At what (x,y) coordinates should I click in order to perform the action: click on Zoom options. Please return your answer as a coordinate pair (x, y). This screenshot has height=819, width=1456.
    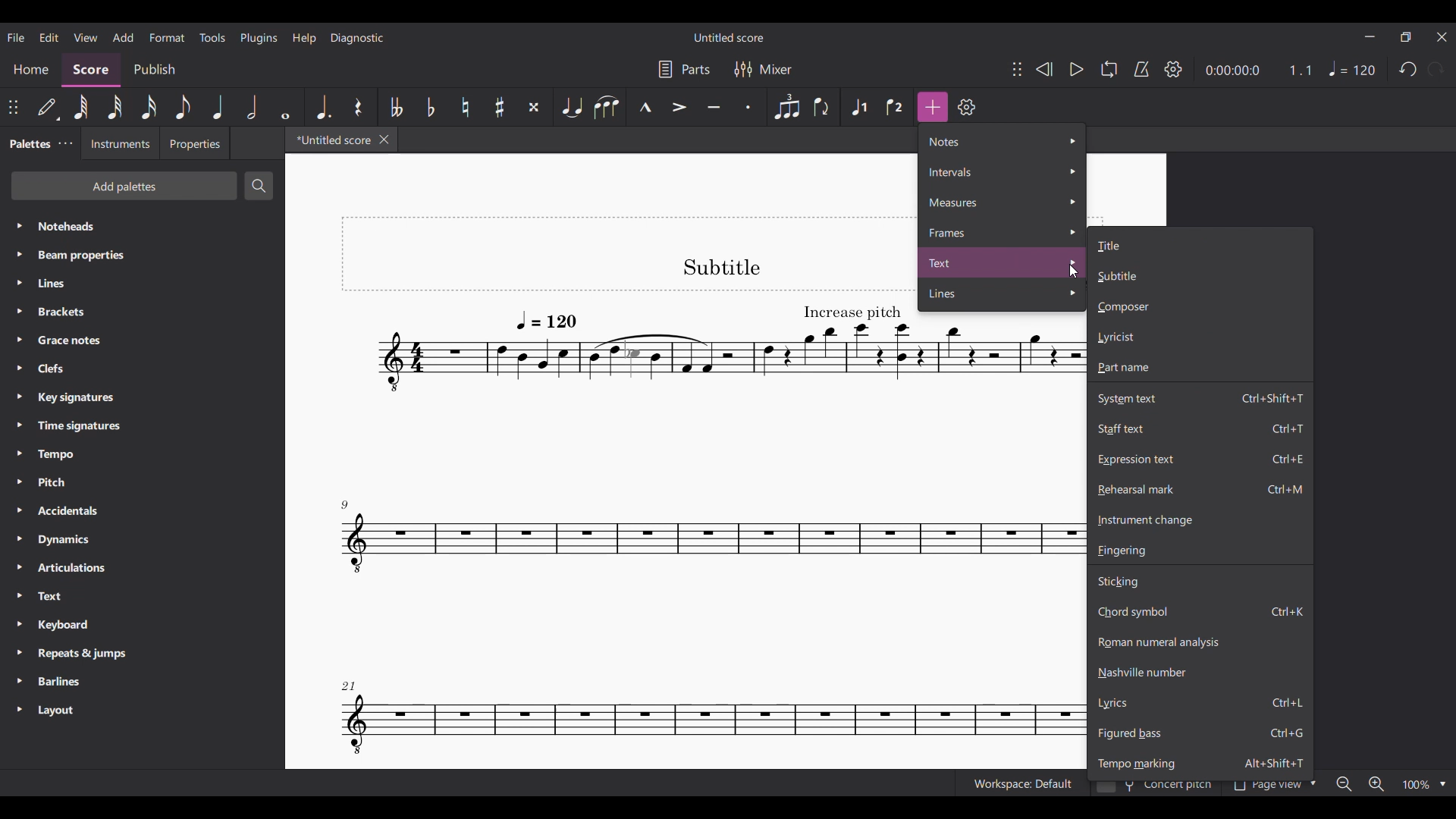
    Looking at the image, I should click on (1425, 784).